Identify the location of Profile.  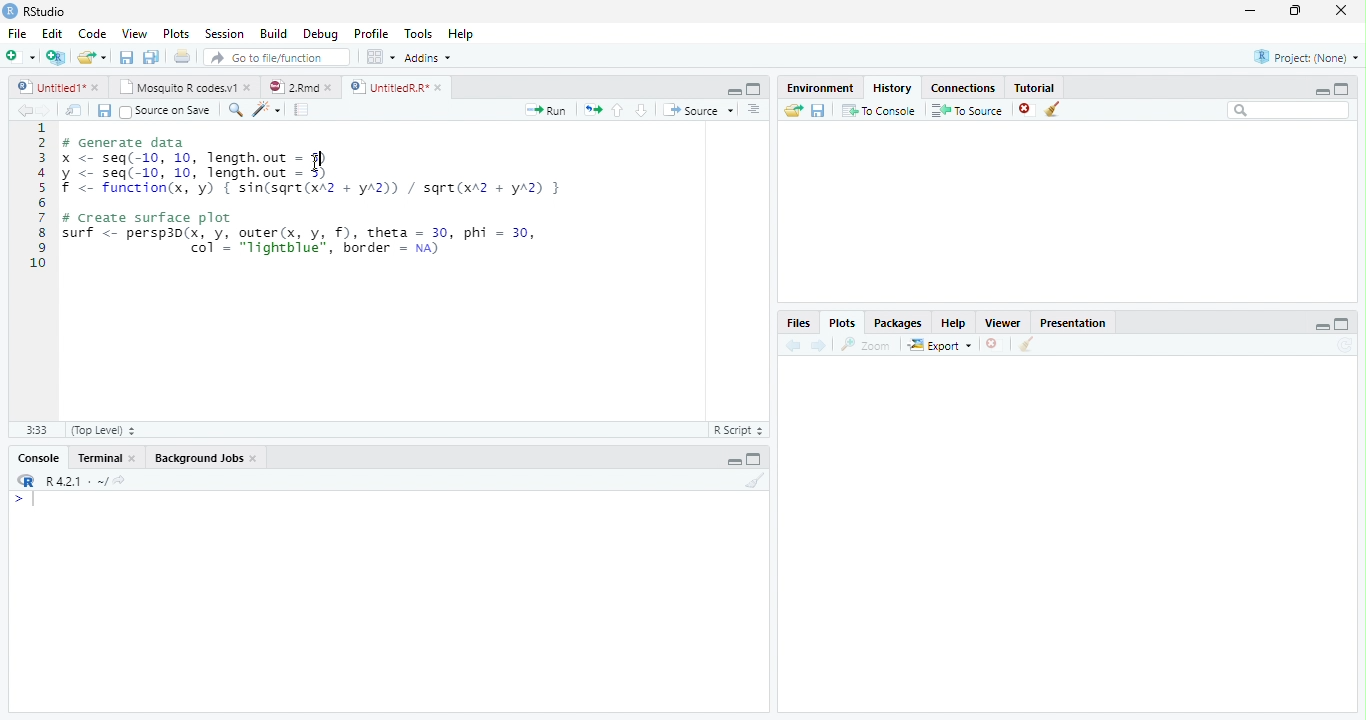
(372, 33).